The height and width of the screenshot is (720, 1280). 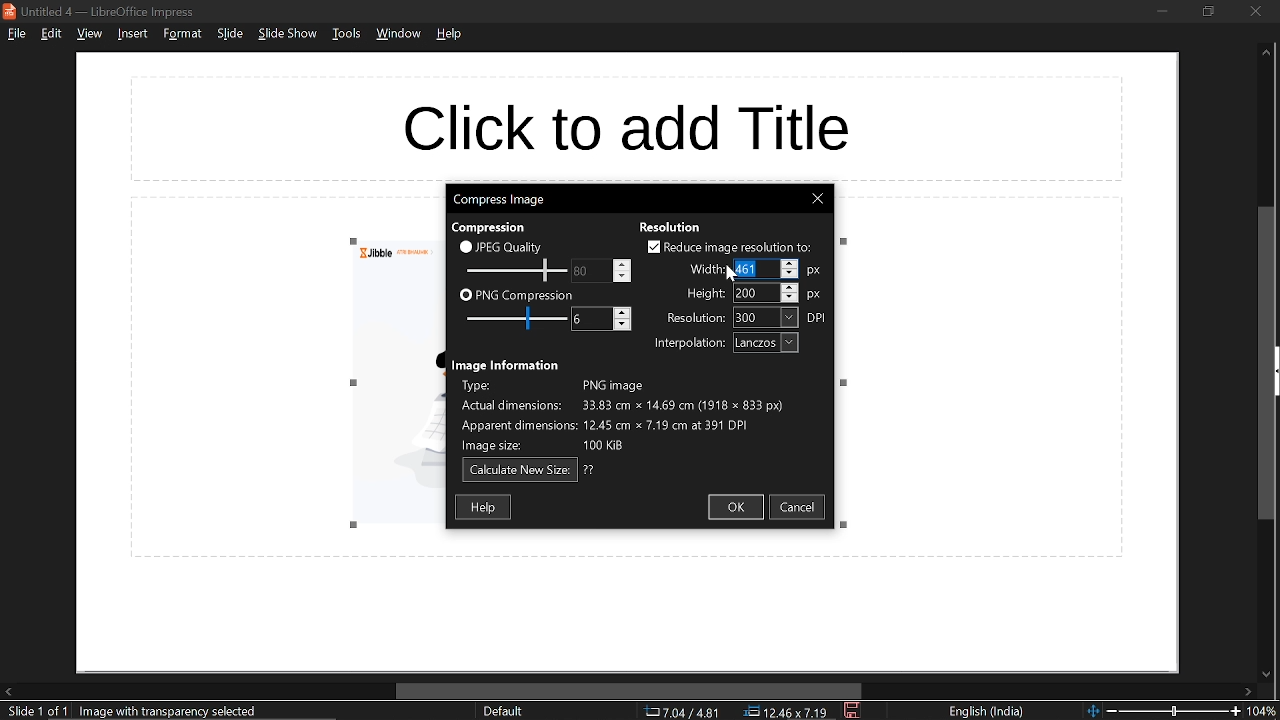 What do you see at coordinates (791, 298) in the screenshot?
I see `Decrease ` at bounding box center [791, 298].